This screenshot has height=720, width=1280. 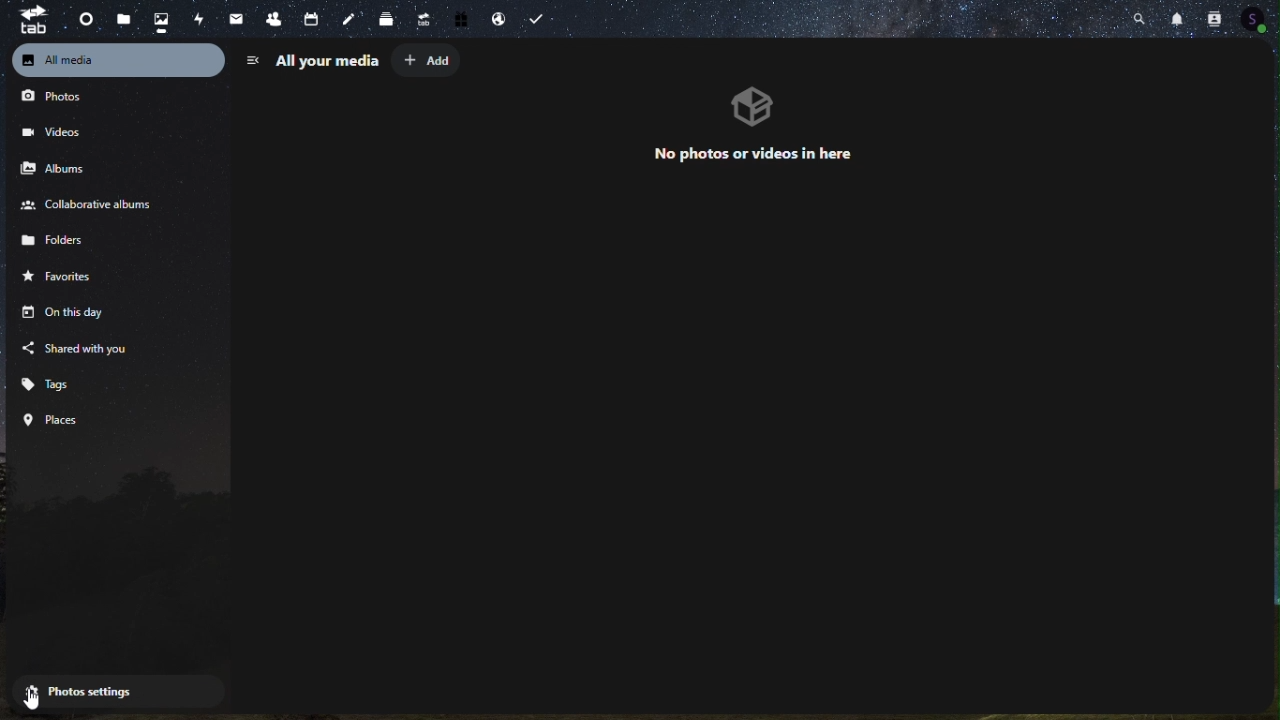 What do you see at coordinates (34, 695) in the screenshot?
I see `cursor` at bounding box center [34, 695].